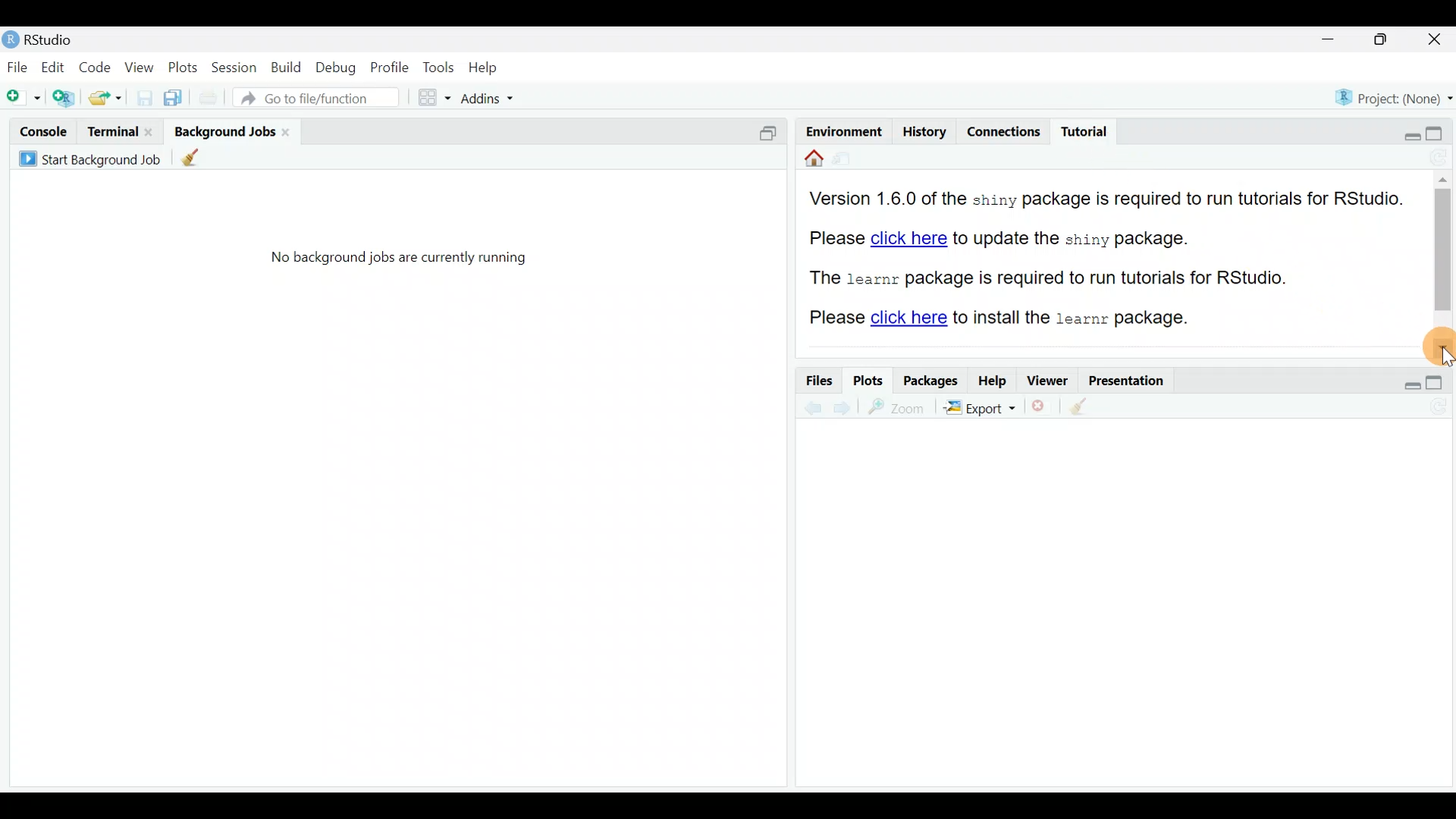 The image size is (1456, 819). Describe the element at coordinates (1332, 39) in the screenshot. I see `Minimize` at that location.